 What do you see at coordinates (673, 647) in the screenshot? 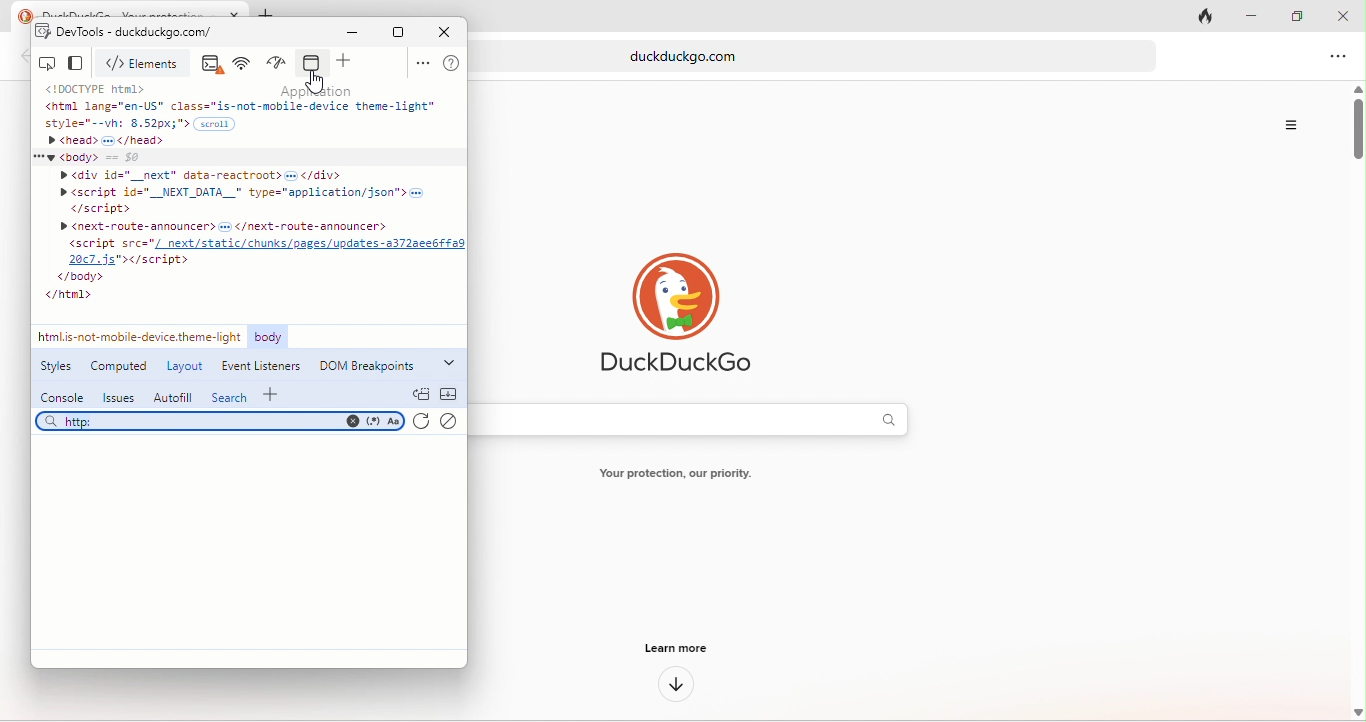
I see `learn more` at bounding box center [673, 647].